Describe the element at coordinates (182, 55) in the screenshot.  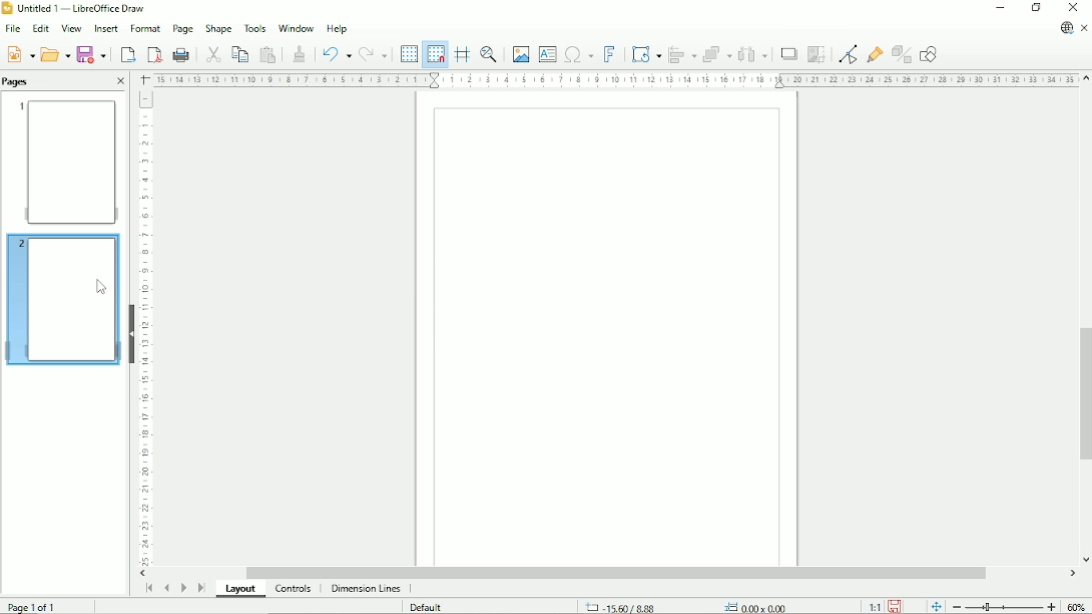
I see `Print` at that location.